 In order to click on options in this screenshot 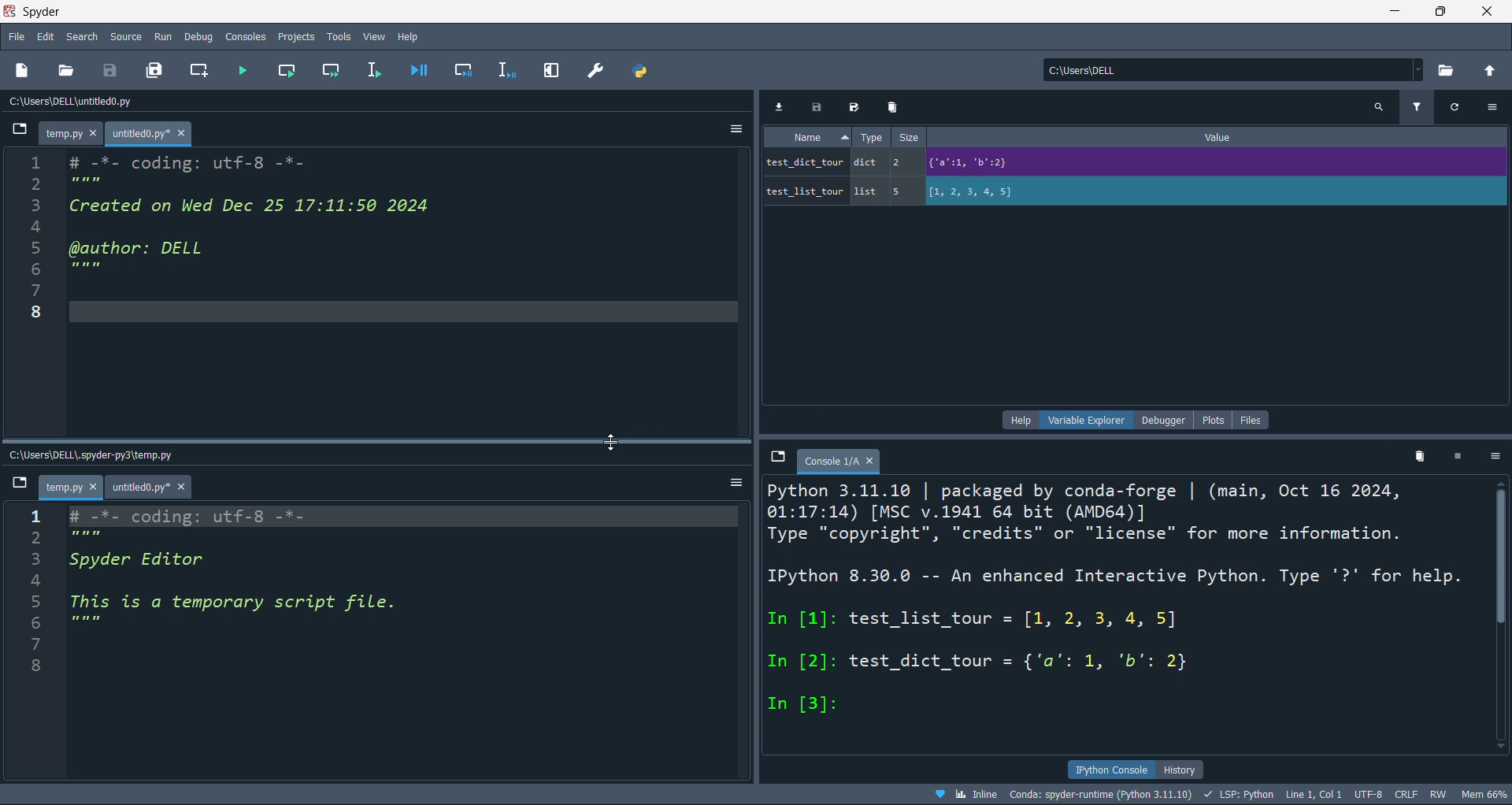, I will do `click(734, 128)`.